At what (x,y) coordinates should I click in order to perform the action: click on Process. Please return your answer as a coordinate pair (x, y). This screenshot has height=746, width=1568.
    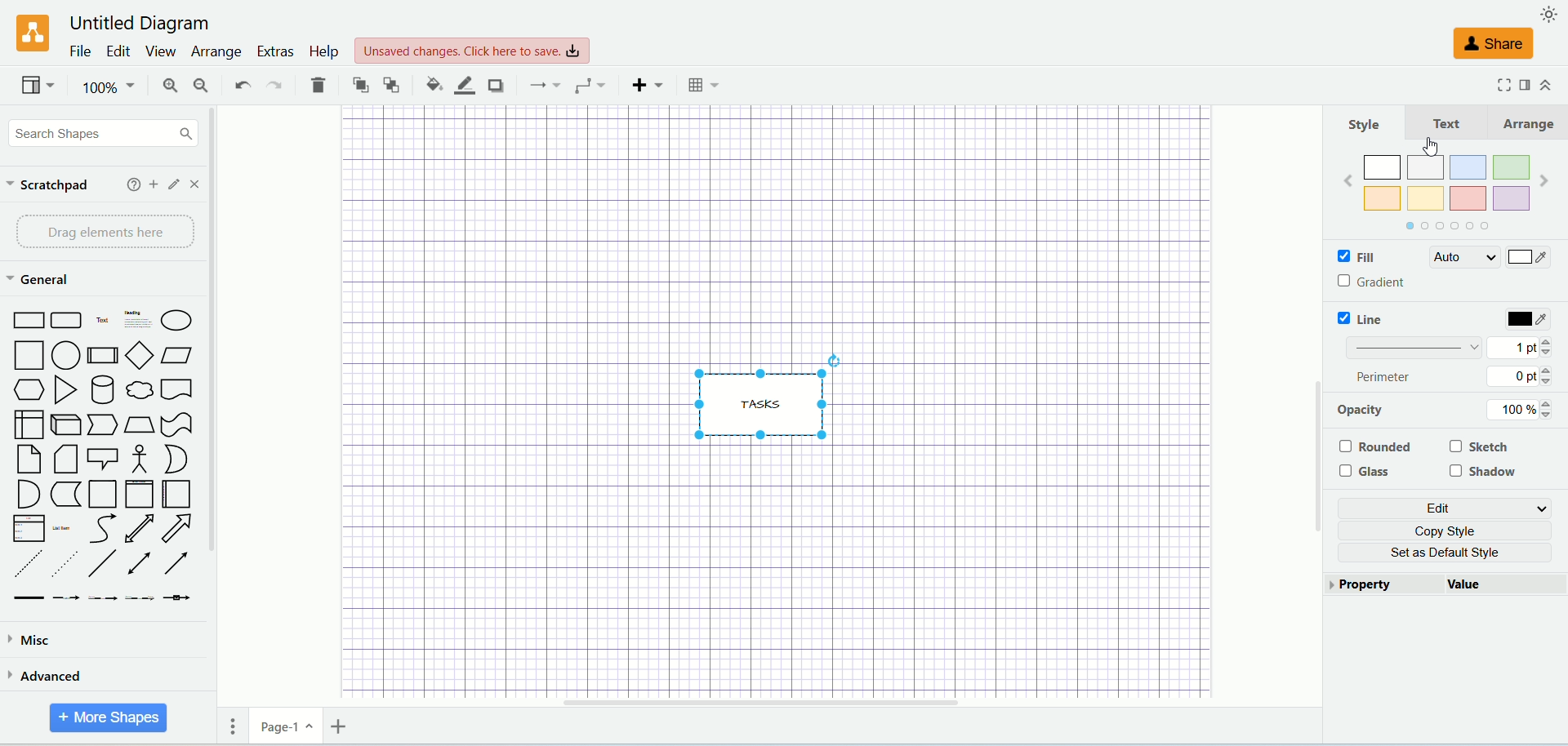
    Looking at the image, I should click on (102, 356).